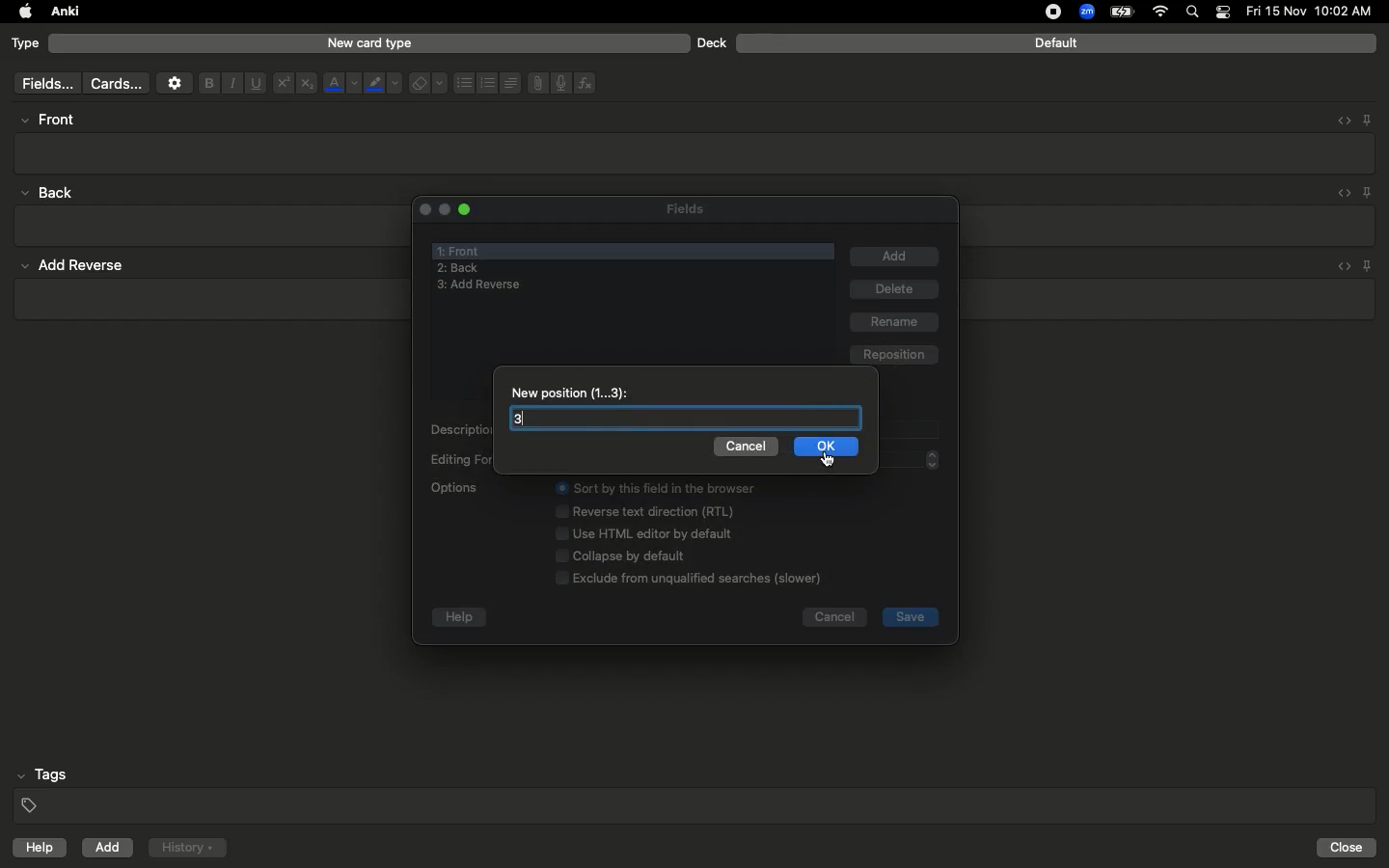 This screenshot has height=868, width=1389. What do you see at coordinates (638, 532) in the screenshot?
I see `Options` at bounding box center [638, 532].